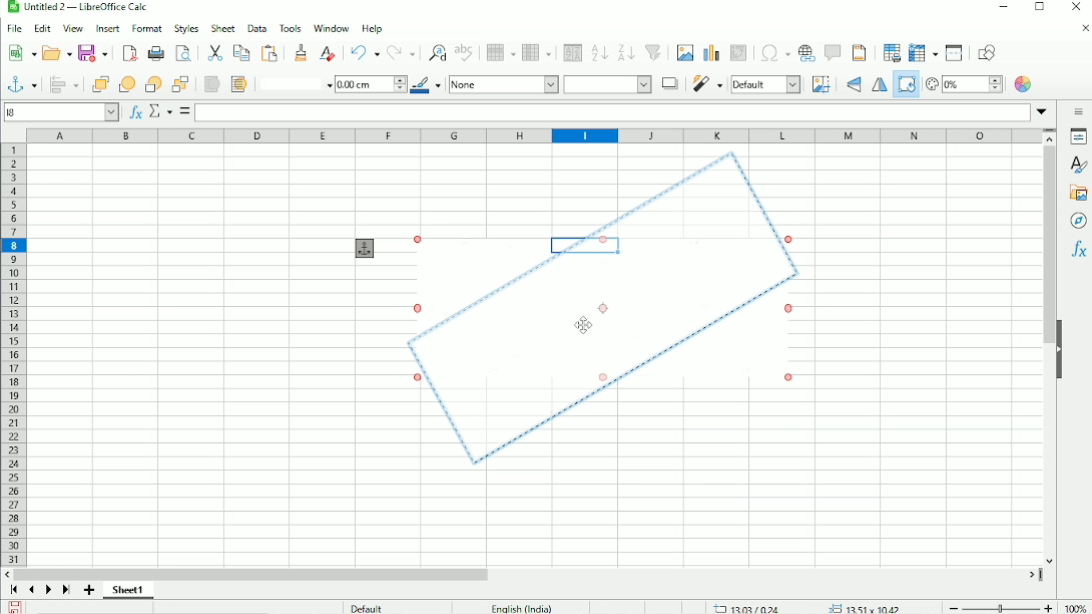 This screenshot has height=614, width=1092. I want to click on Edit, so click(42, 29).